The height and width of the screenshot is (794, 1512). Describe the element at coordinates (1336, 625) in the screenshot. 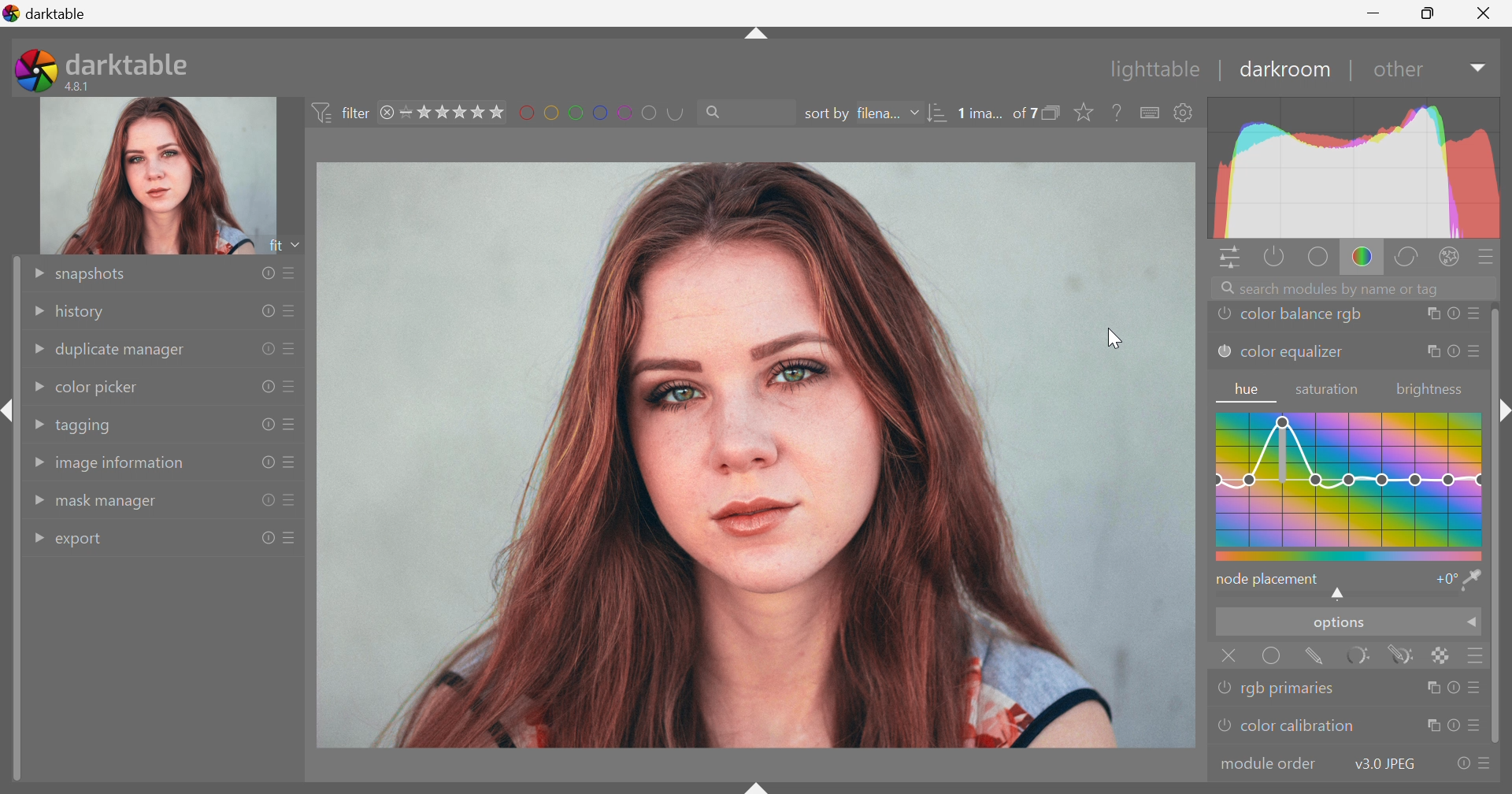

I see `options` at that location.